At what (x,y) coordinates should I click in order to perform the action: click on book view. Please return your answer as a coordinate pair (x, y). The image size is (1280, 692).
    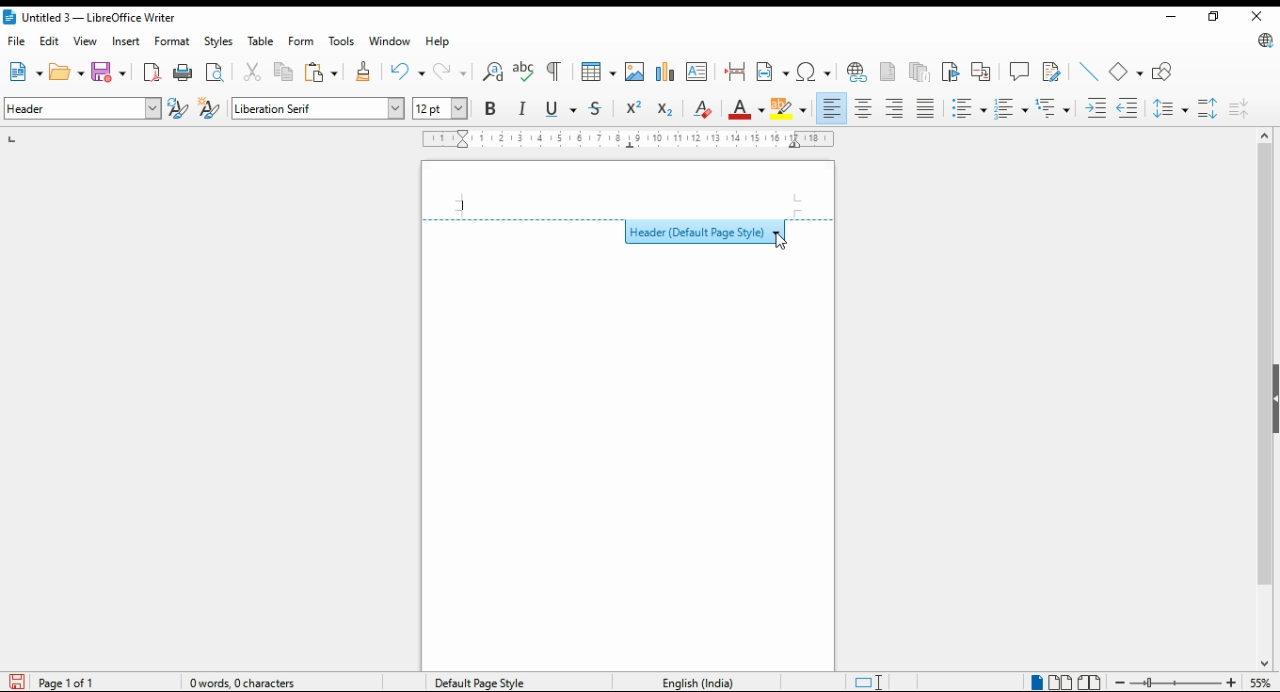
    Looking at the image, I should click on (1090, 683).